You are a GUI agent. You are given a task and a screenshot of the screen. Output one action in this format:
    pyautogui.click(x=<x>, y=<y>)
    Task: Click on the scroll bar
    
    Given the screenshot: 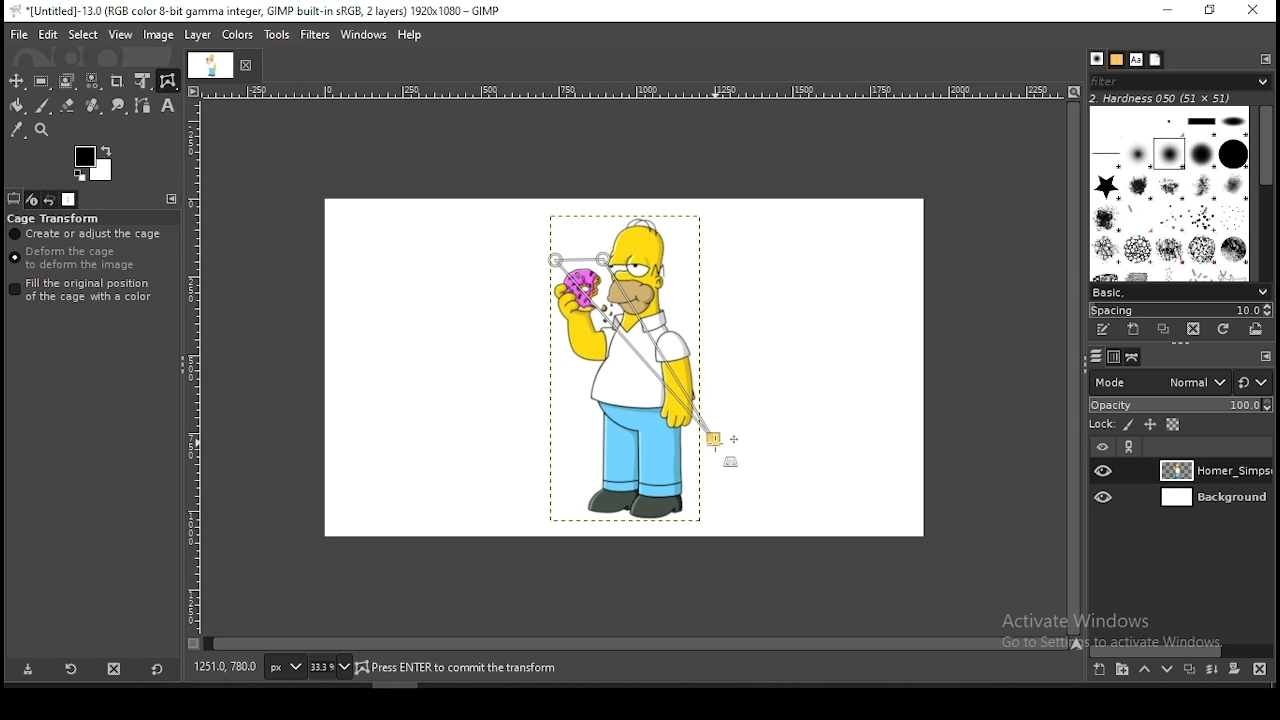 What is the action you would take?
    pyautogui.click(x=1072, y=367)
    